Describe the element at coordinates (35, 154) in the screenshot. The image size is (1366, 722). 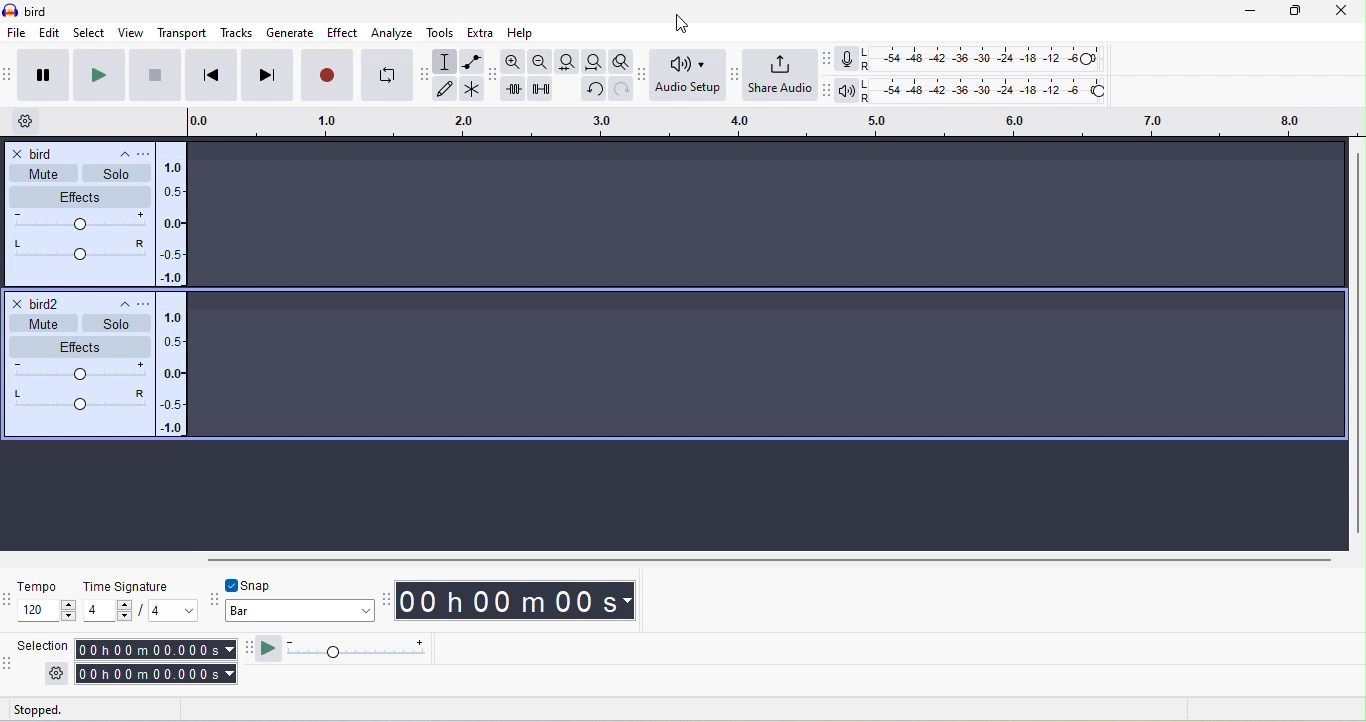
I see `bird` at that location.